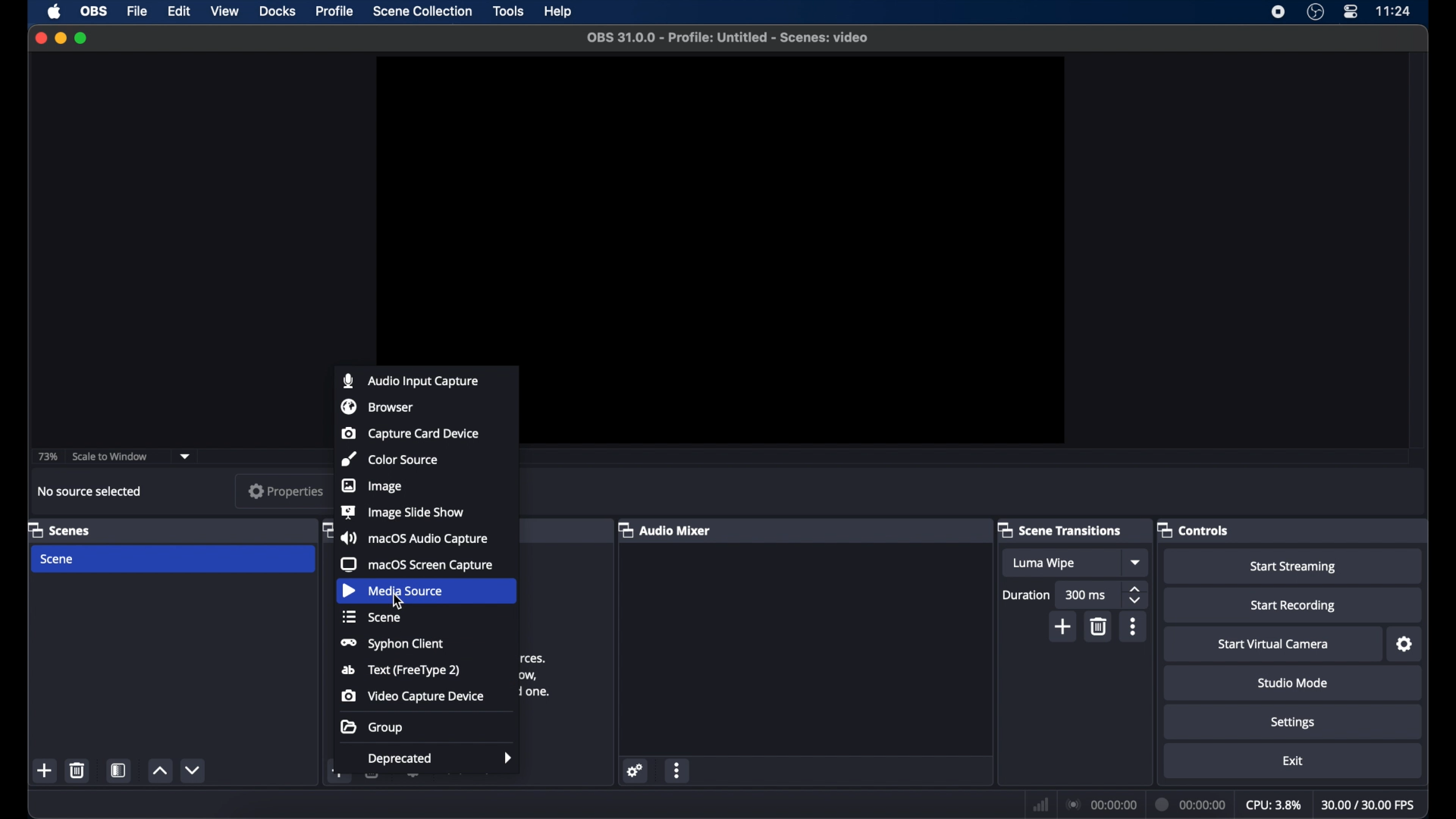 This screenshot has height=819, width=1456. Describe the element at coordinates (96, 11) in the screenshot. I see `obs` at that location.